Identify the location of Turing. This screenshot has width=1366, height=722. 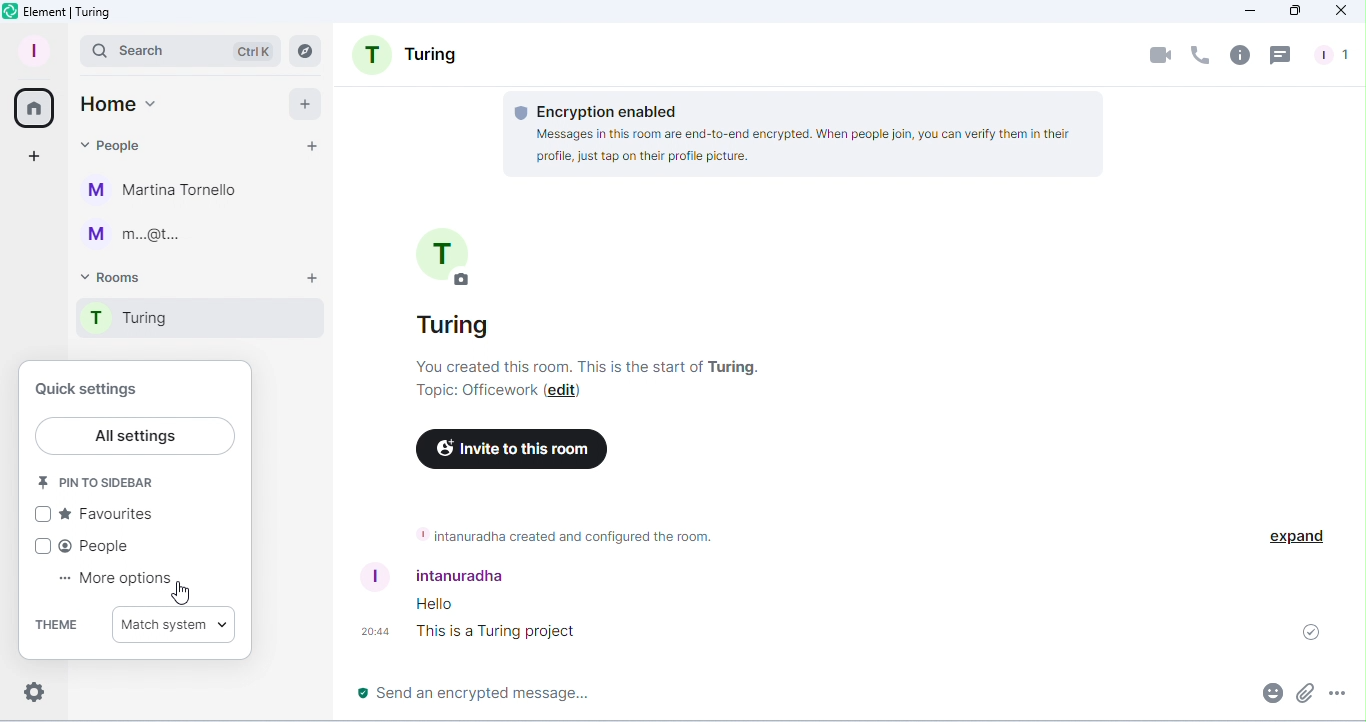
(404, 53).